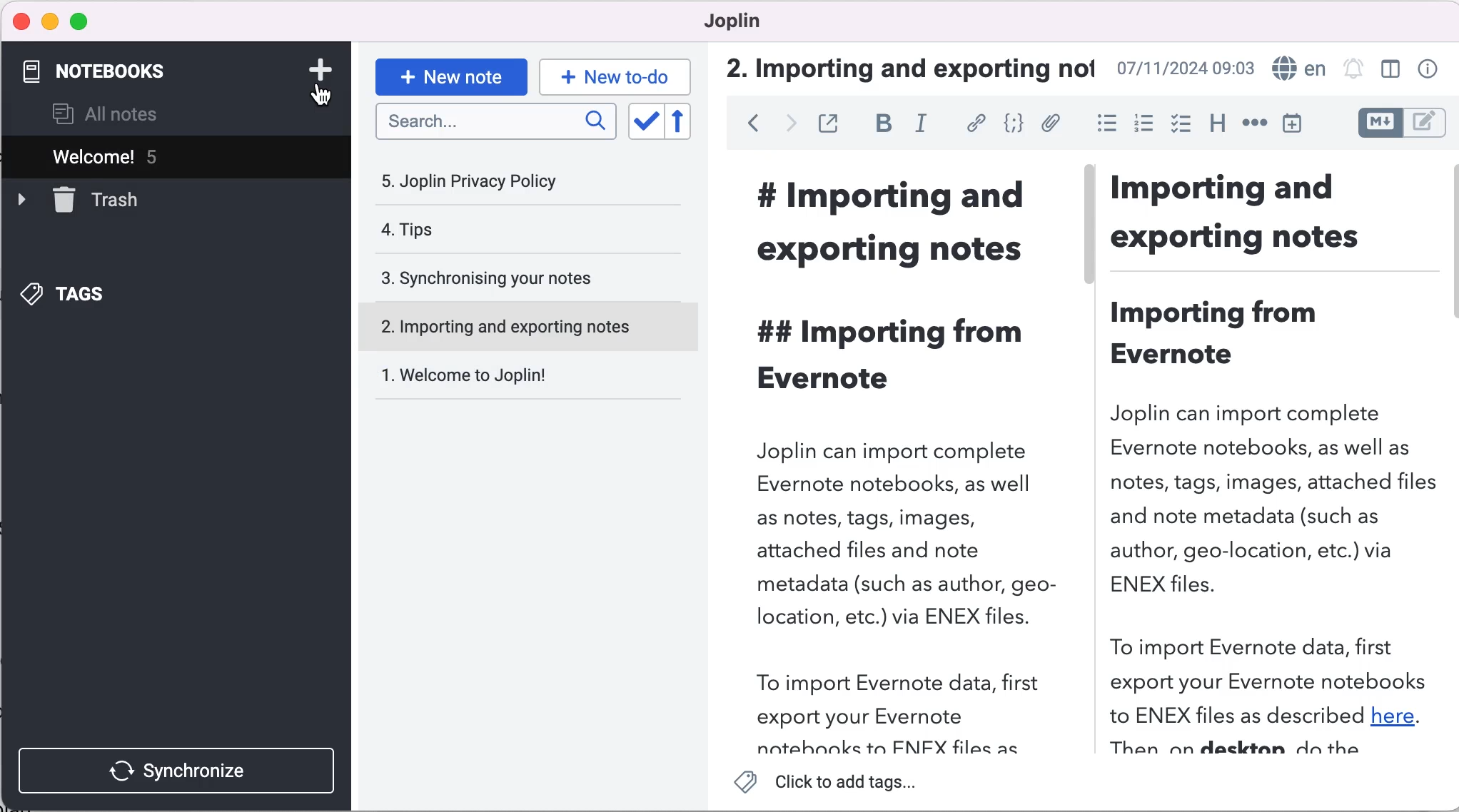  What do you see at coordinates (495, 122) in the screenshot?
I see `search` at bounding box center [495, 122].